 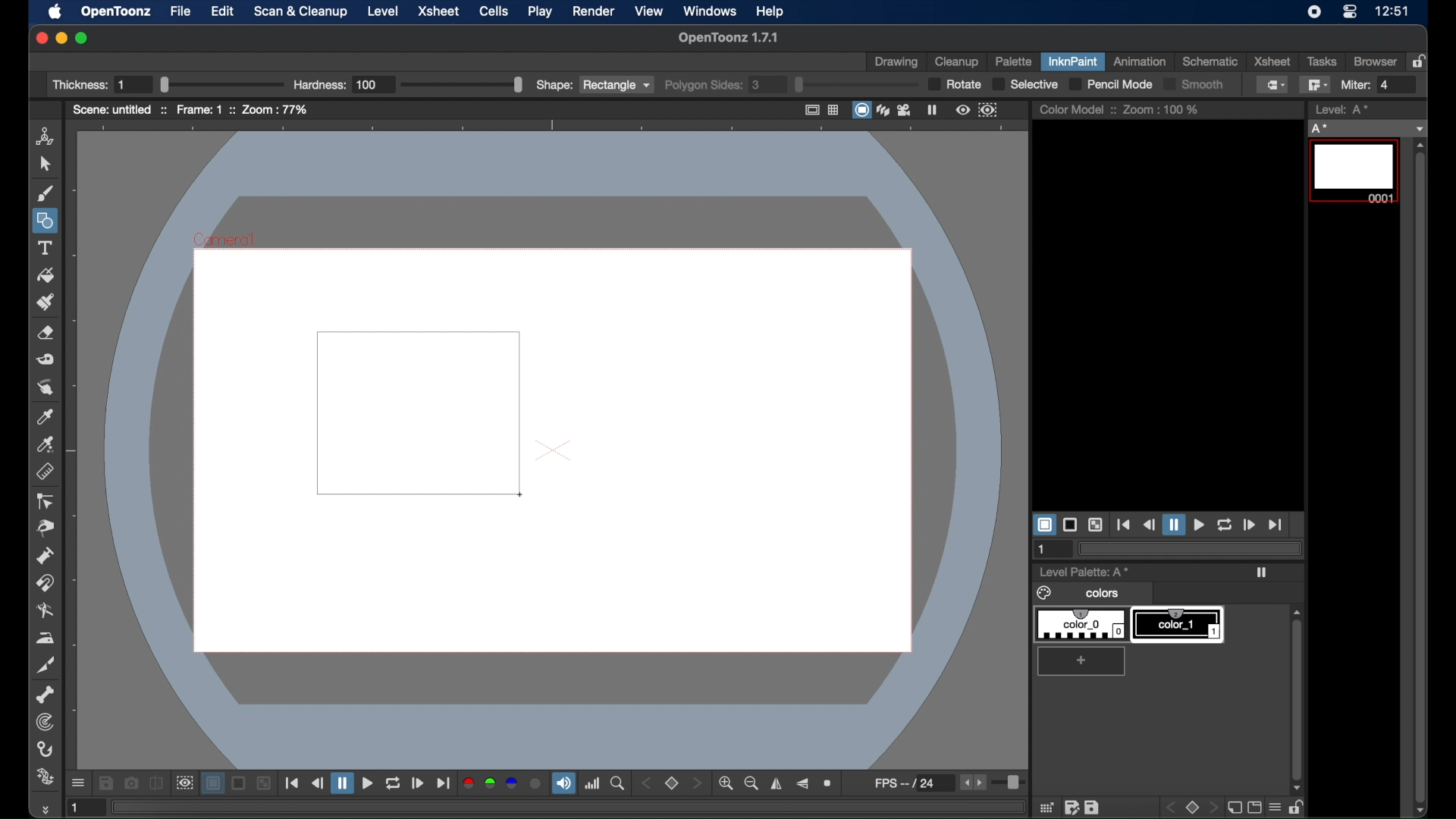 I want to click on jump to start, so click(x=292, y=783).